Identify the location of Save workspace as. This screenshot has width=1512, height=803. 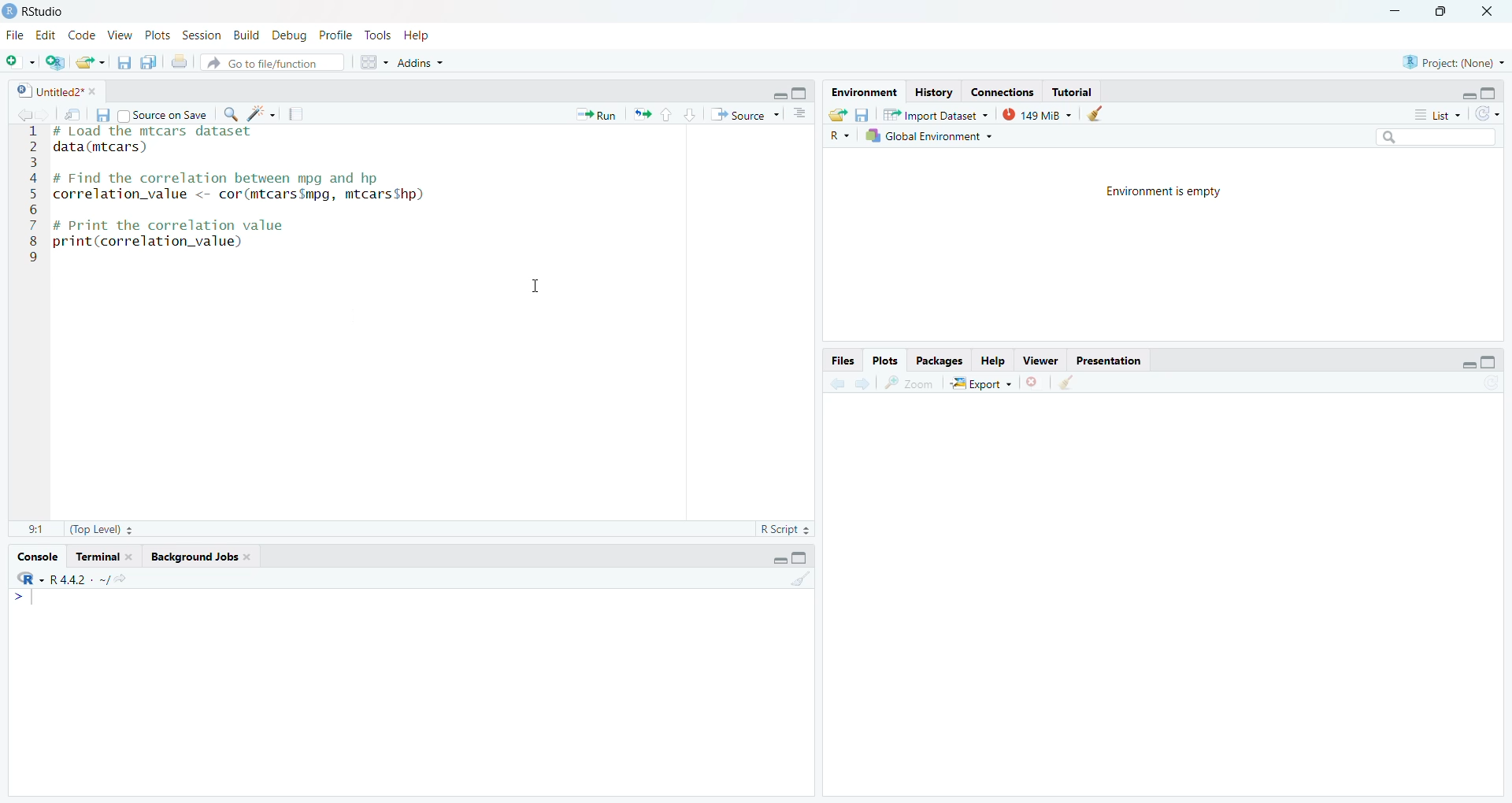
(862, 113).